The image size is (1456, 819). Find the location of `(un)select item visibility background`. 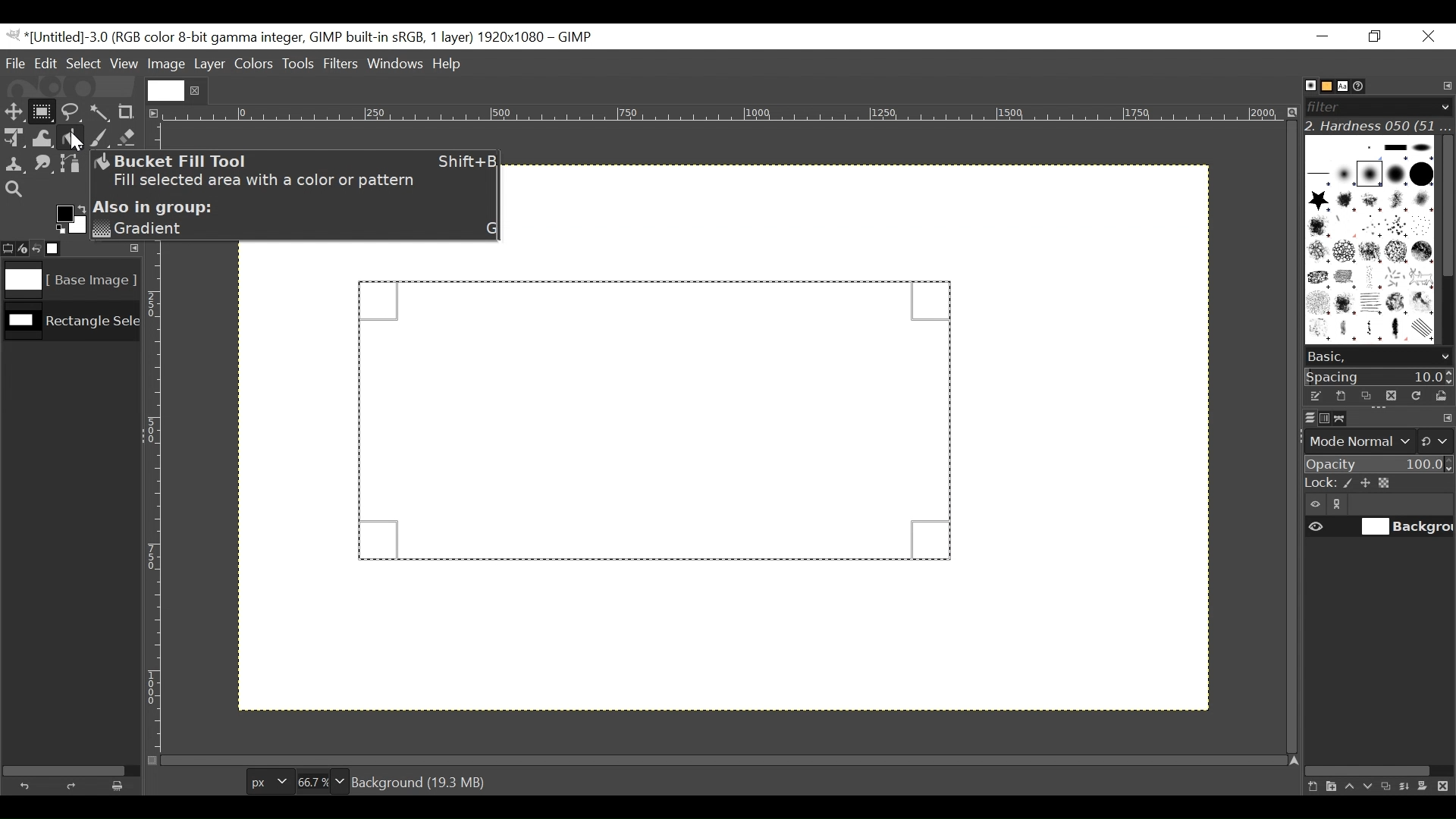

(un)select item visibility background is located at coordinates (1379, 529).